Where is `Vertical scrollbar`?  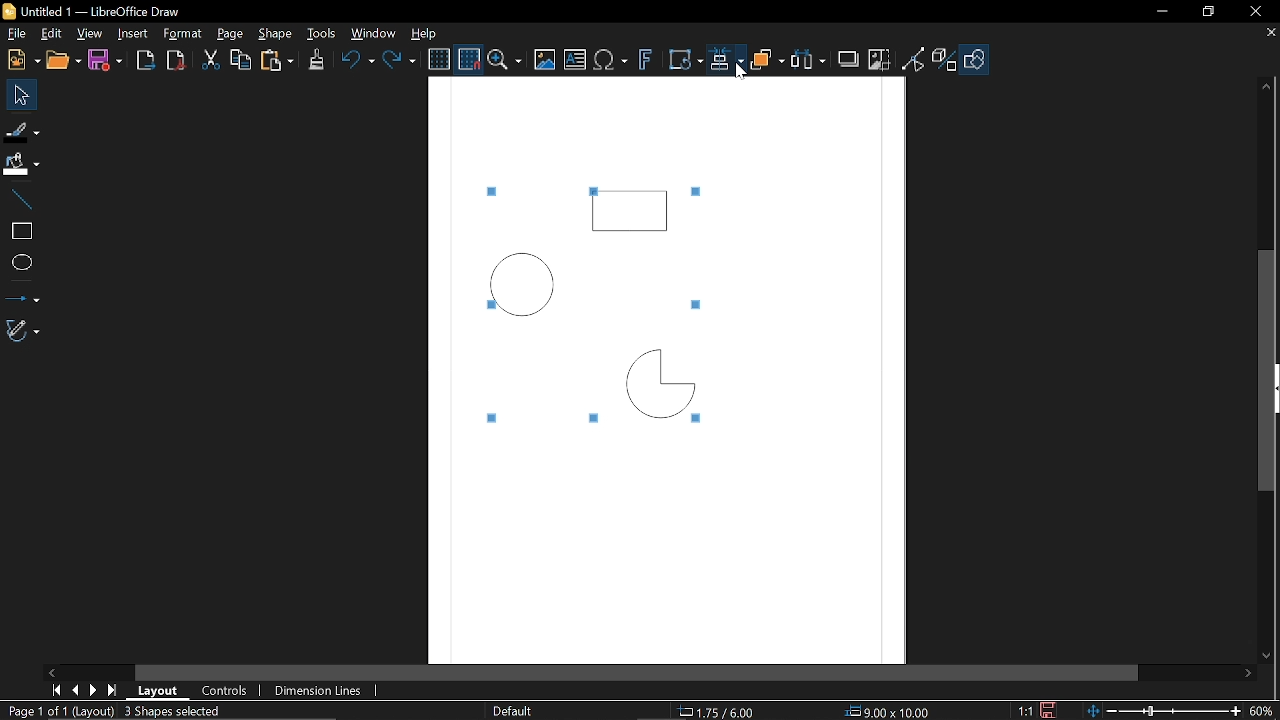 Vertical scrollbar is located at coordinates (1266, 370).